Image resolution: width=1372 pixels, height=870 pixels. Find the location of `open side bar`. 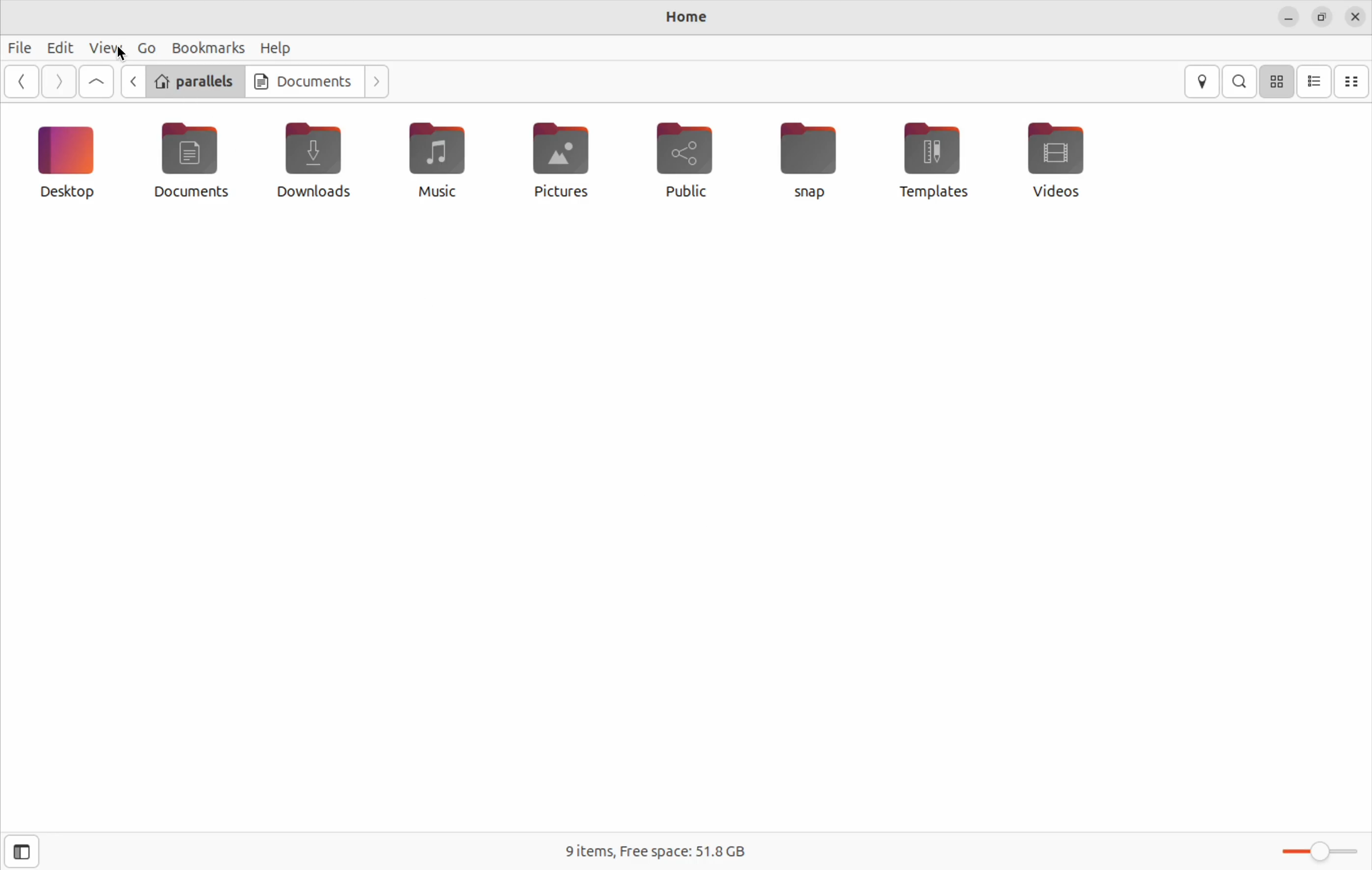

open side bar is located at coordinates (17, 853).